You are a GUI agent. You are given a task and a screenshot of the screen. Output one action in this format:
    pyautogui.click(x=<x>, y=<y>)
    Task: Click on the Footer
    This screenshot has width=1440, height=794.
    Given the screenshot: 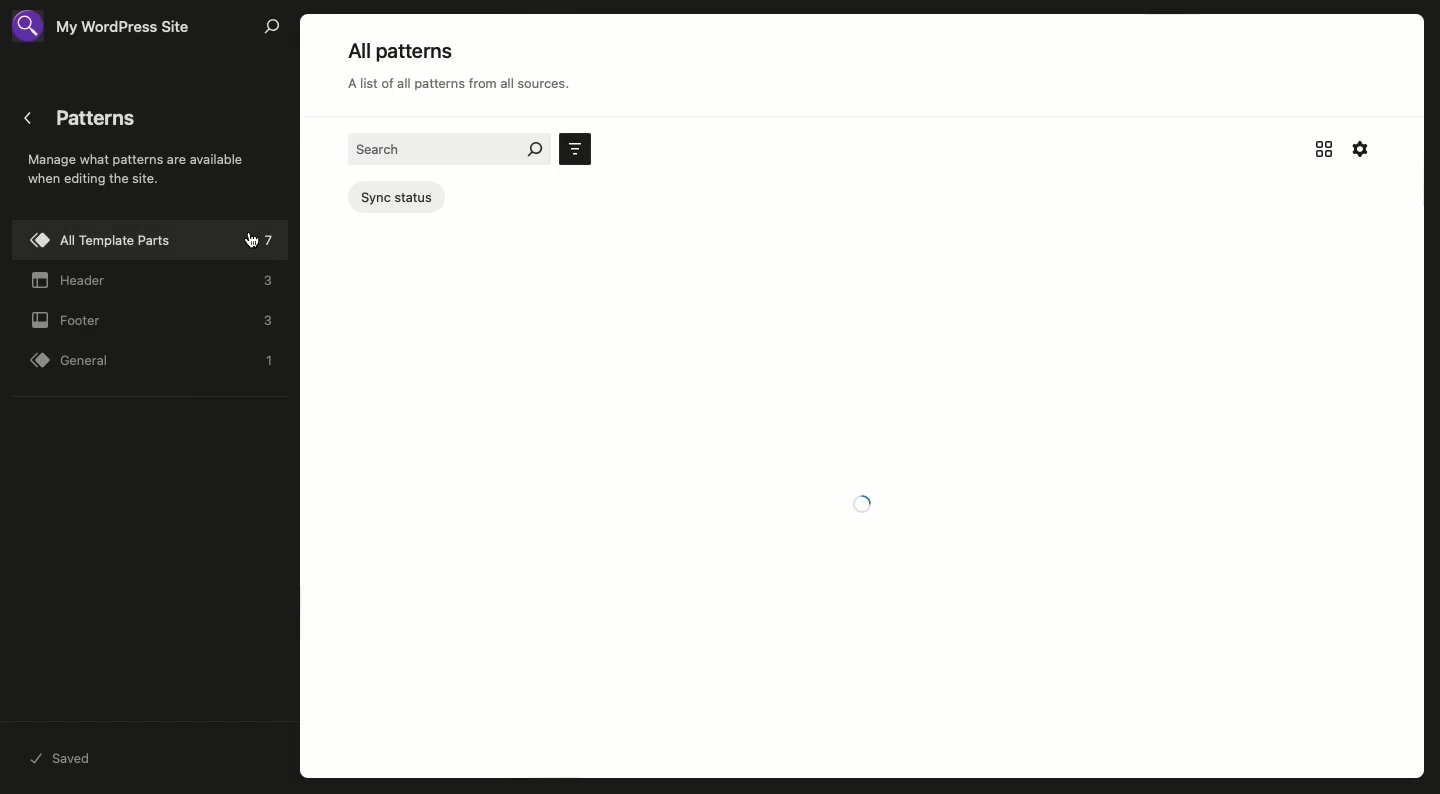 What is the action you would take?
    pyautogui.click(x=153, y=322)
    